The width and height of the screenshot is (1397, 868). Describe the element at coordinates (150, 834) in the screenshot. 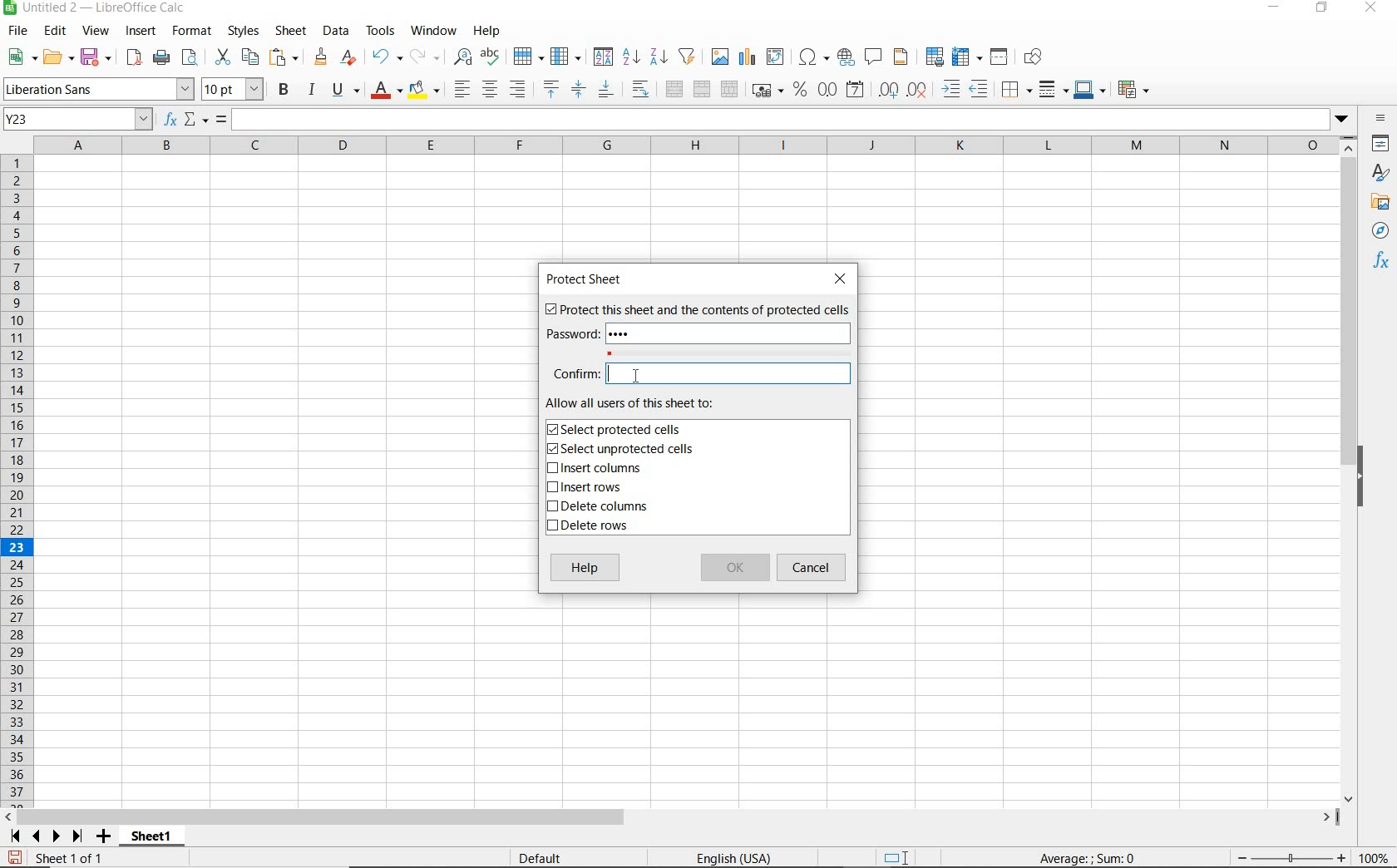

I see `sheet 1` at that location.